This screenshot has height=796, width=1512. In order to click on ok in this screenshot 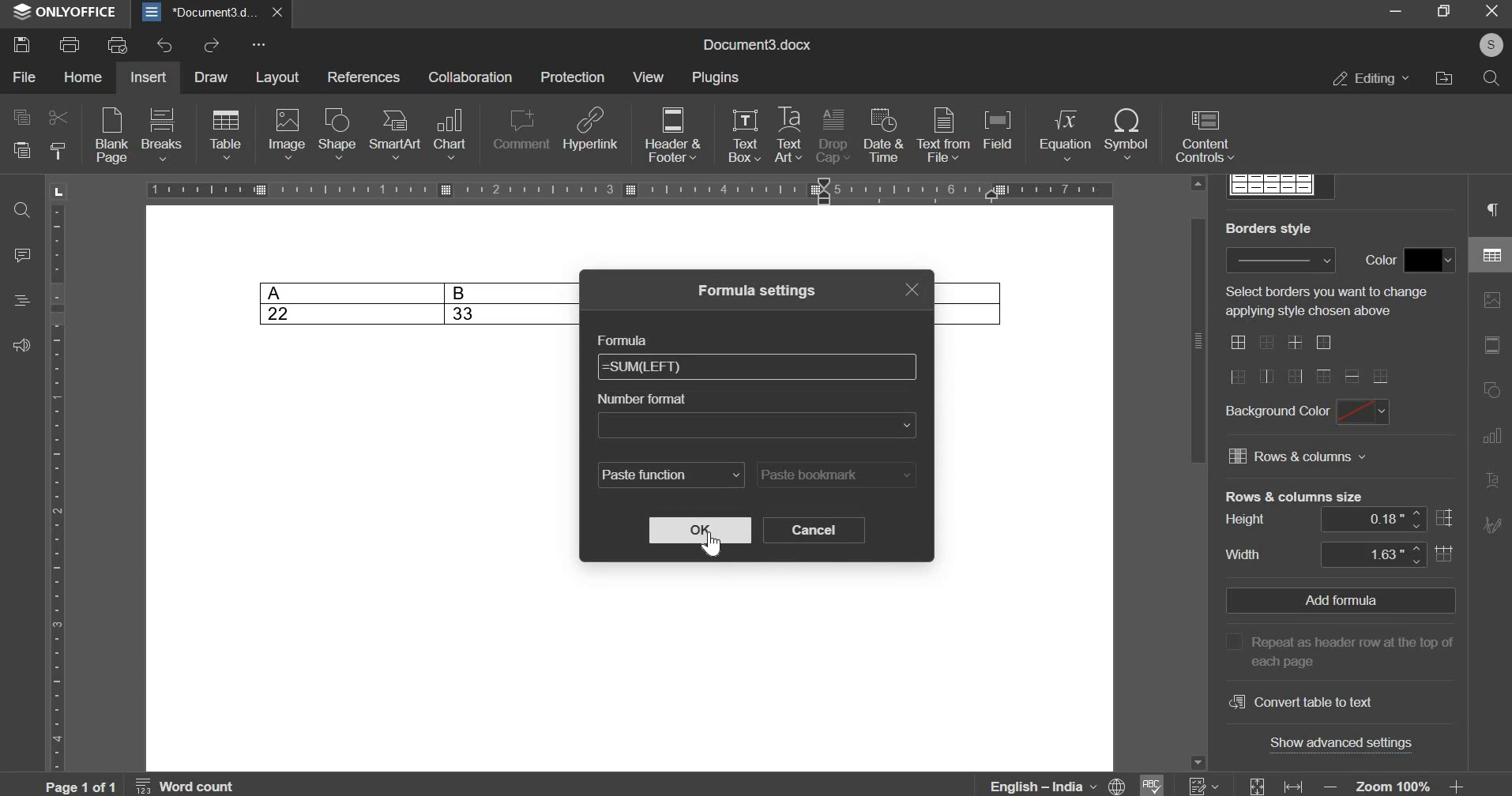, I will do `click(699, 531)`.